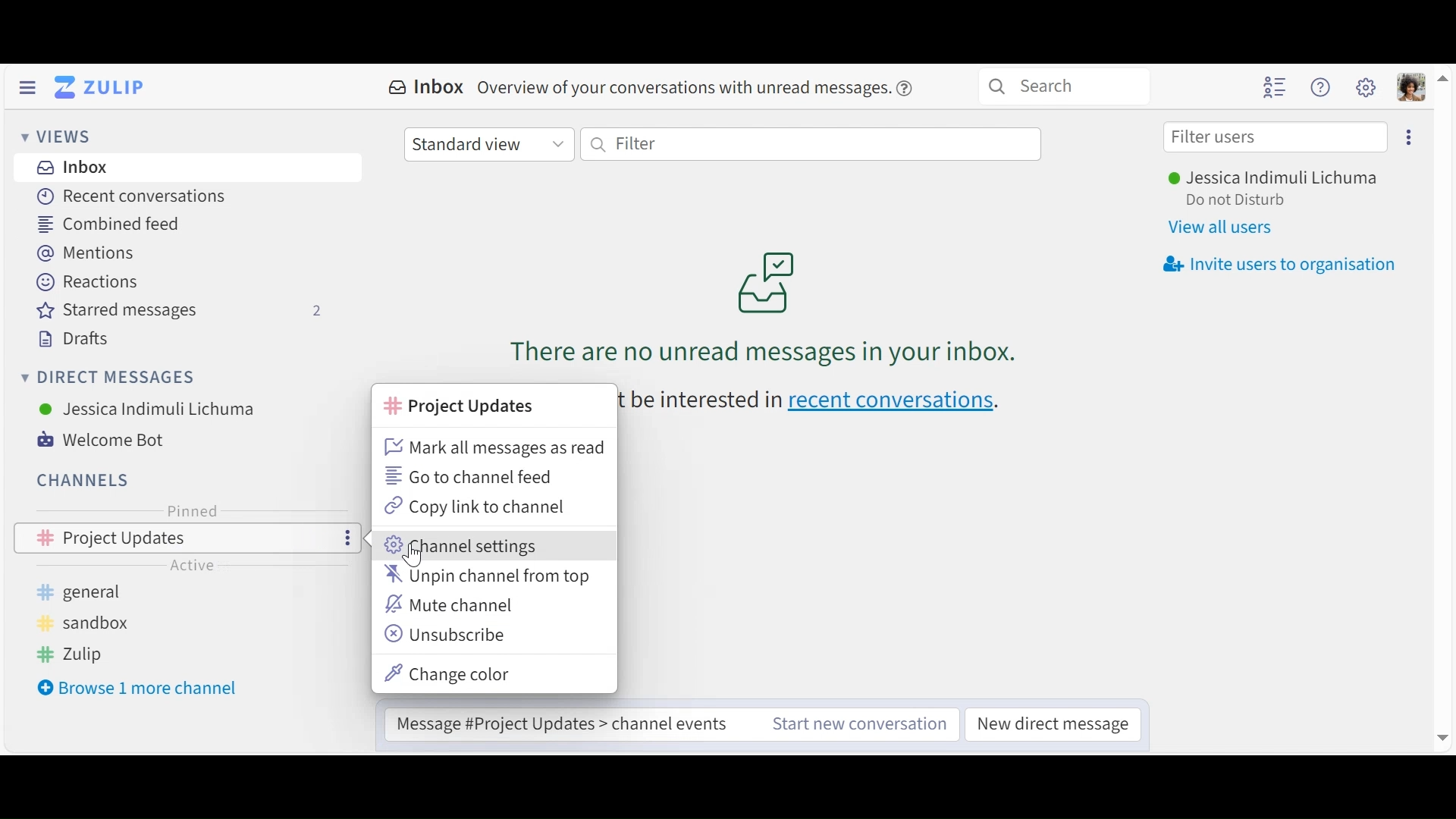 Image resolution: width=1456 pixels, height=819 pixels. What do you see at coordinates (1320, 88) in the screenshot?
I see `Help menu` at bounding box center [1320, 88].